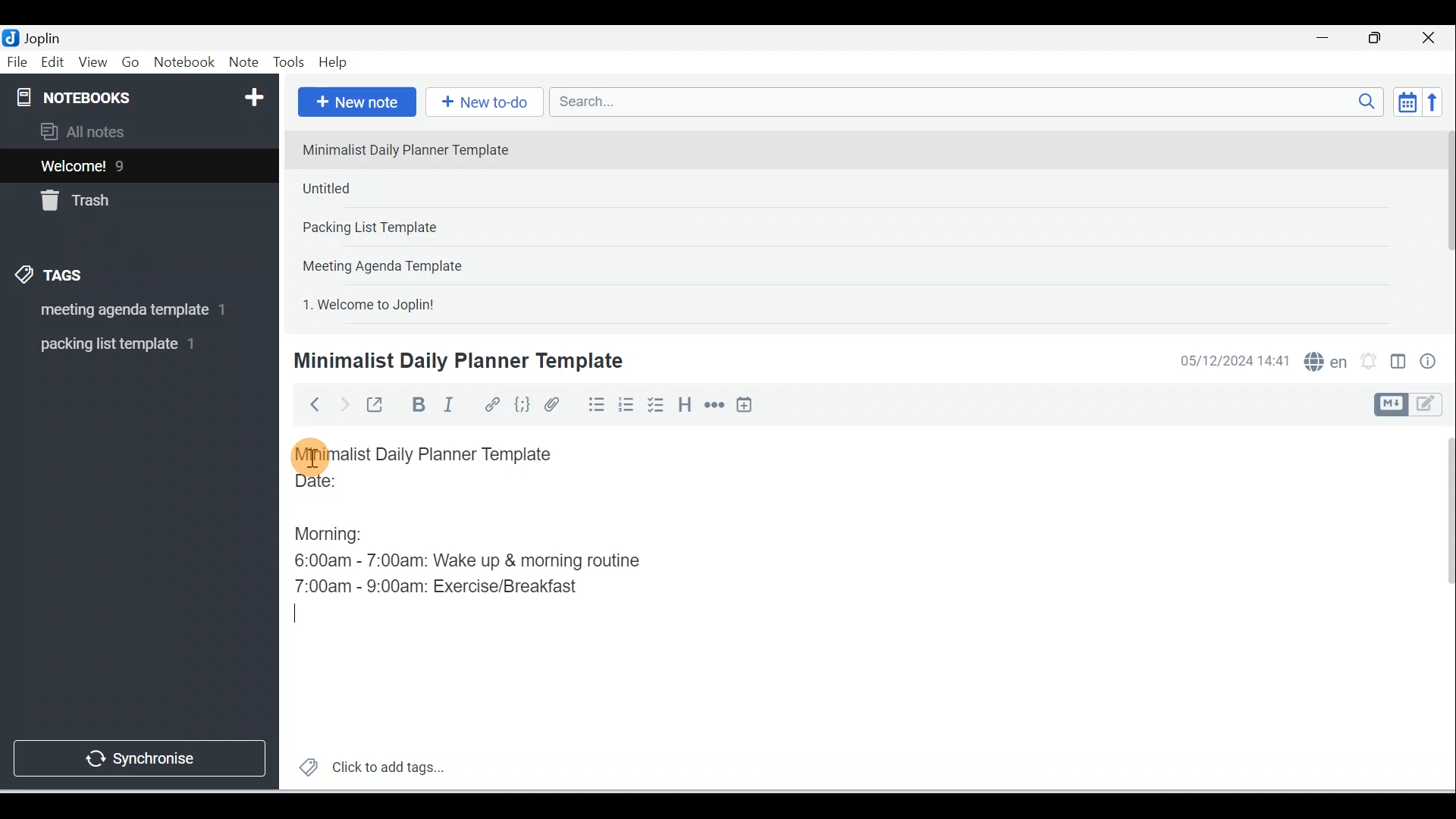 This screenshot has height=819, width=1456. I want to click on View, so click(93, 63).